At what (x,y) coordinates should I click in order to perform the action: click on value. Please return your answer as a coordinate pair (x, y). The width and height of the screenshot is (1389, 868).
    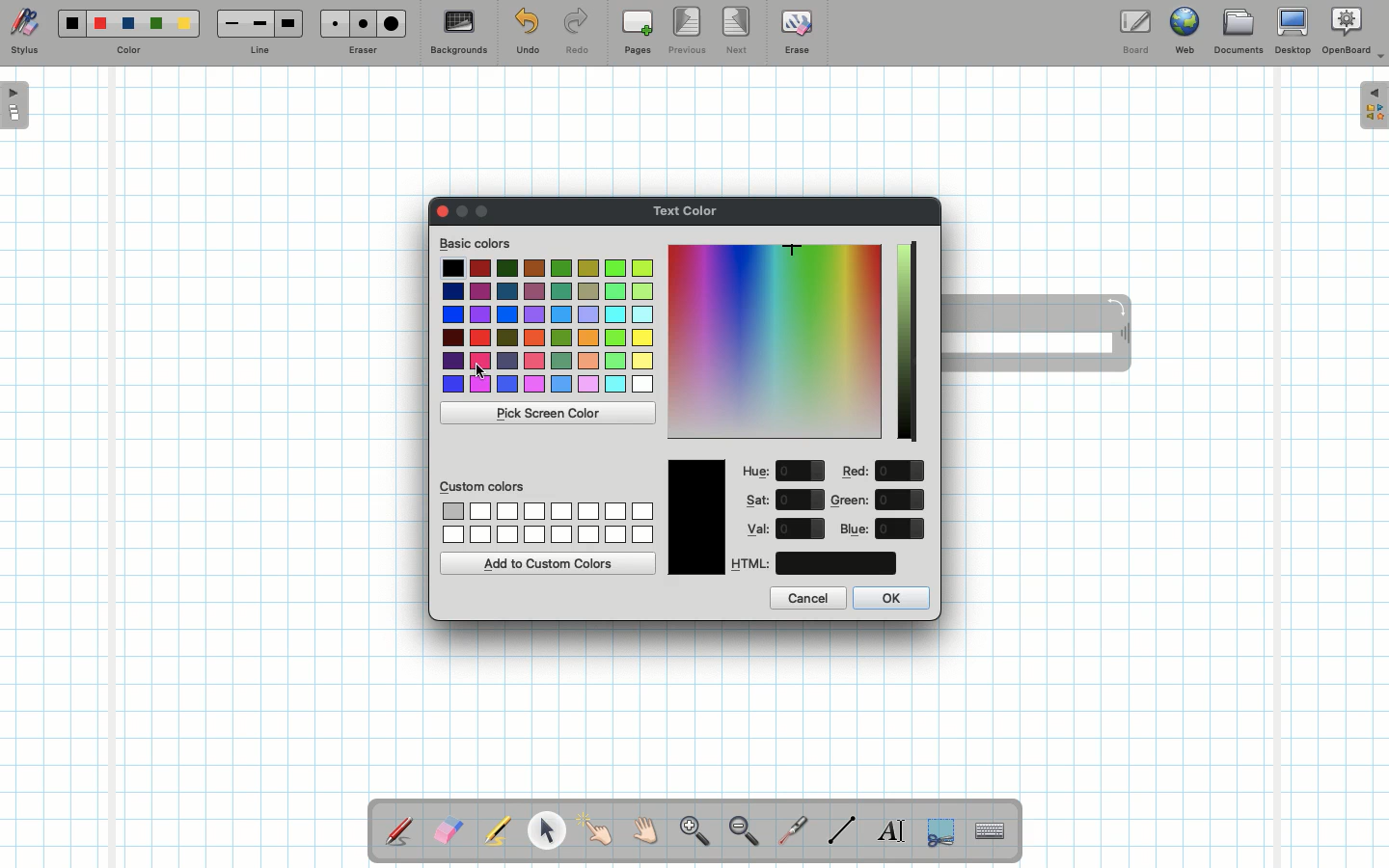
    Looking at the image, I should click on (801, 500).